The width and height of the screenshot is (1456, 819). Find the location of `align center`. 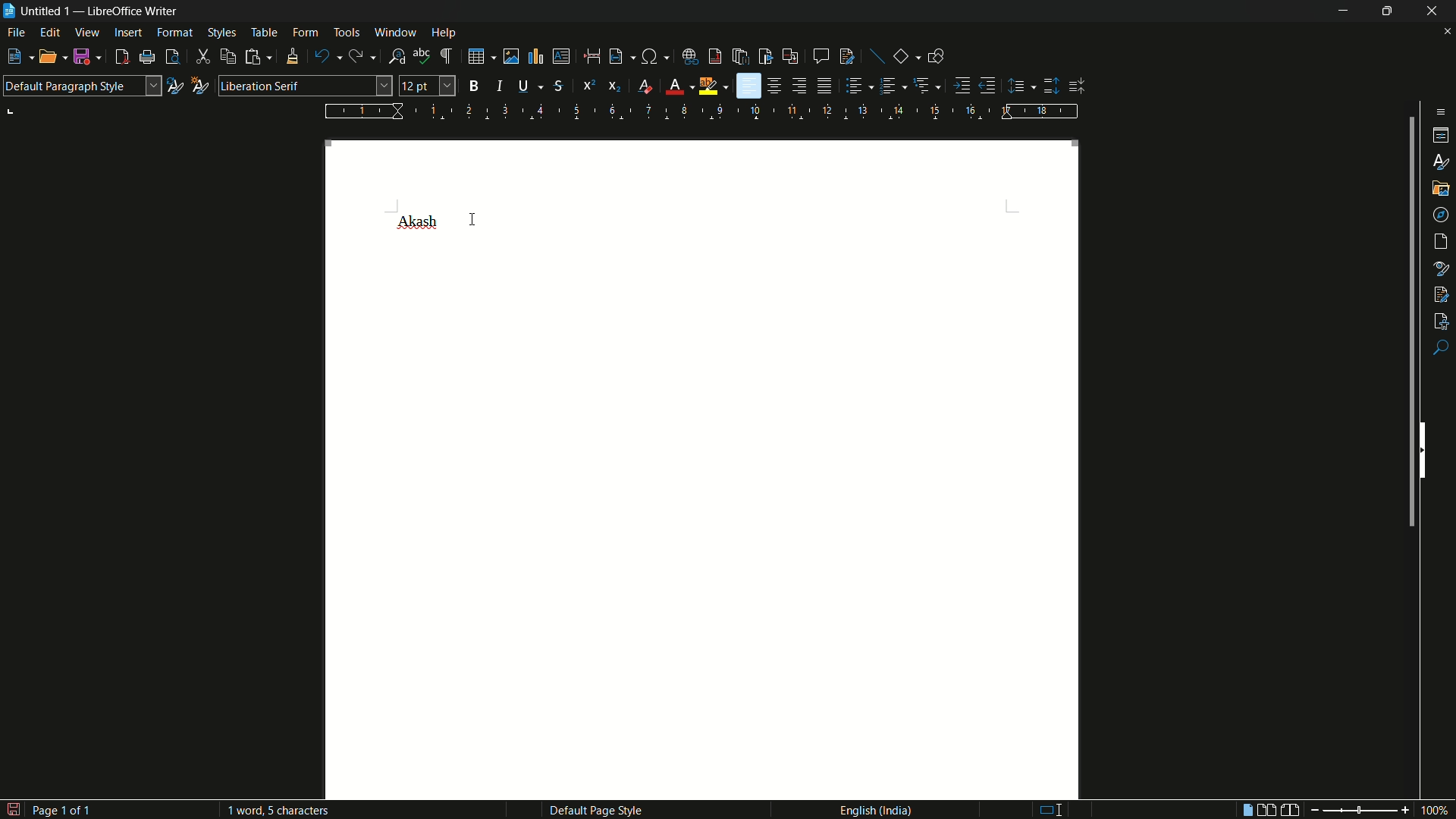

align center is located at coordinates (776, 86).